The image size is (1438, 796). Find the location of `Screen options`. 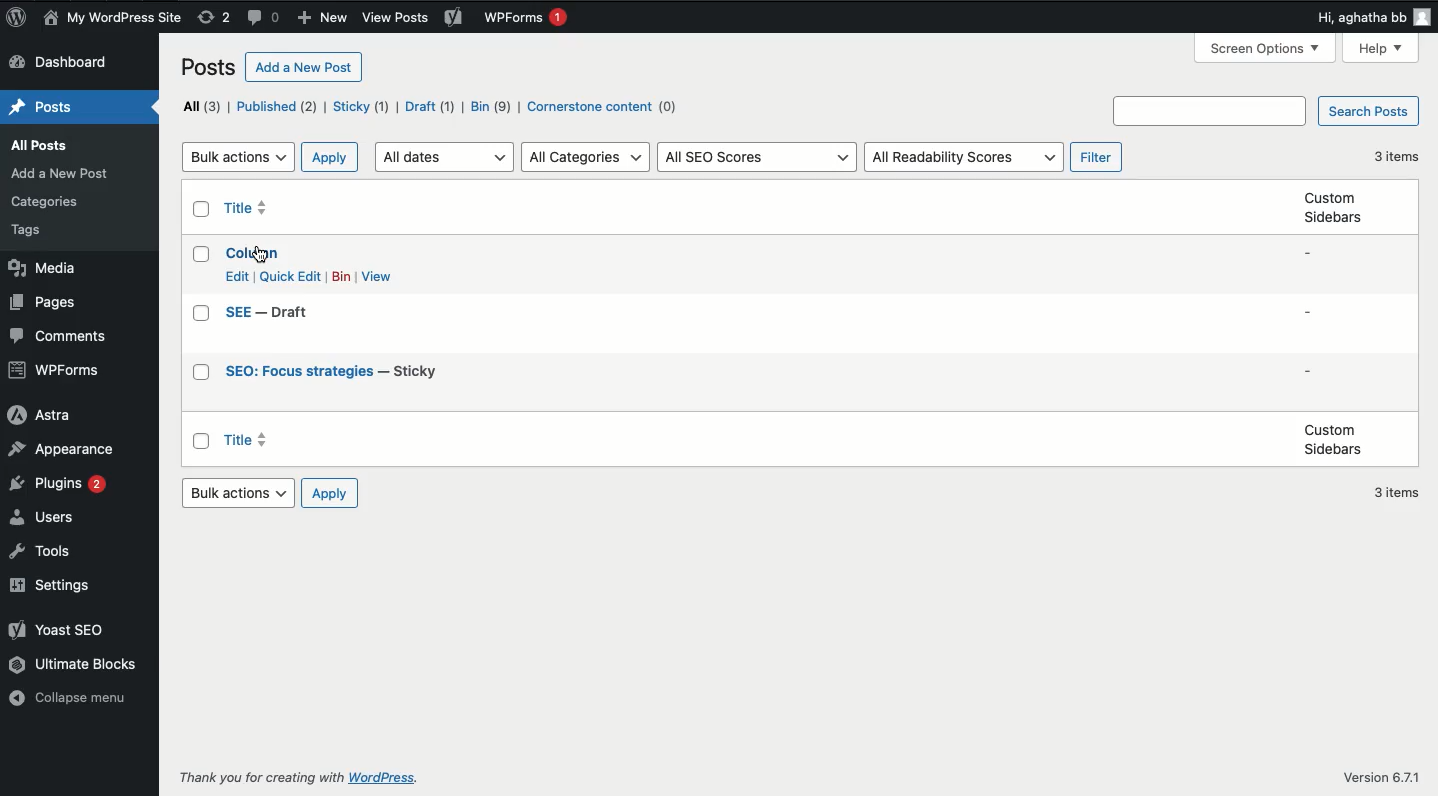

Screen options is located at coordinates (1264, 49).